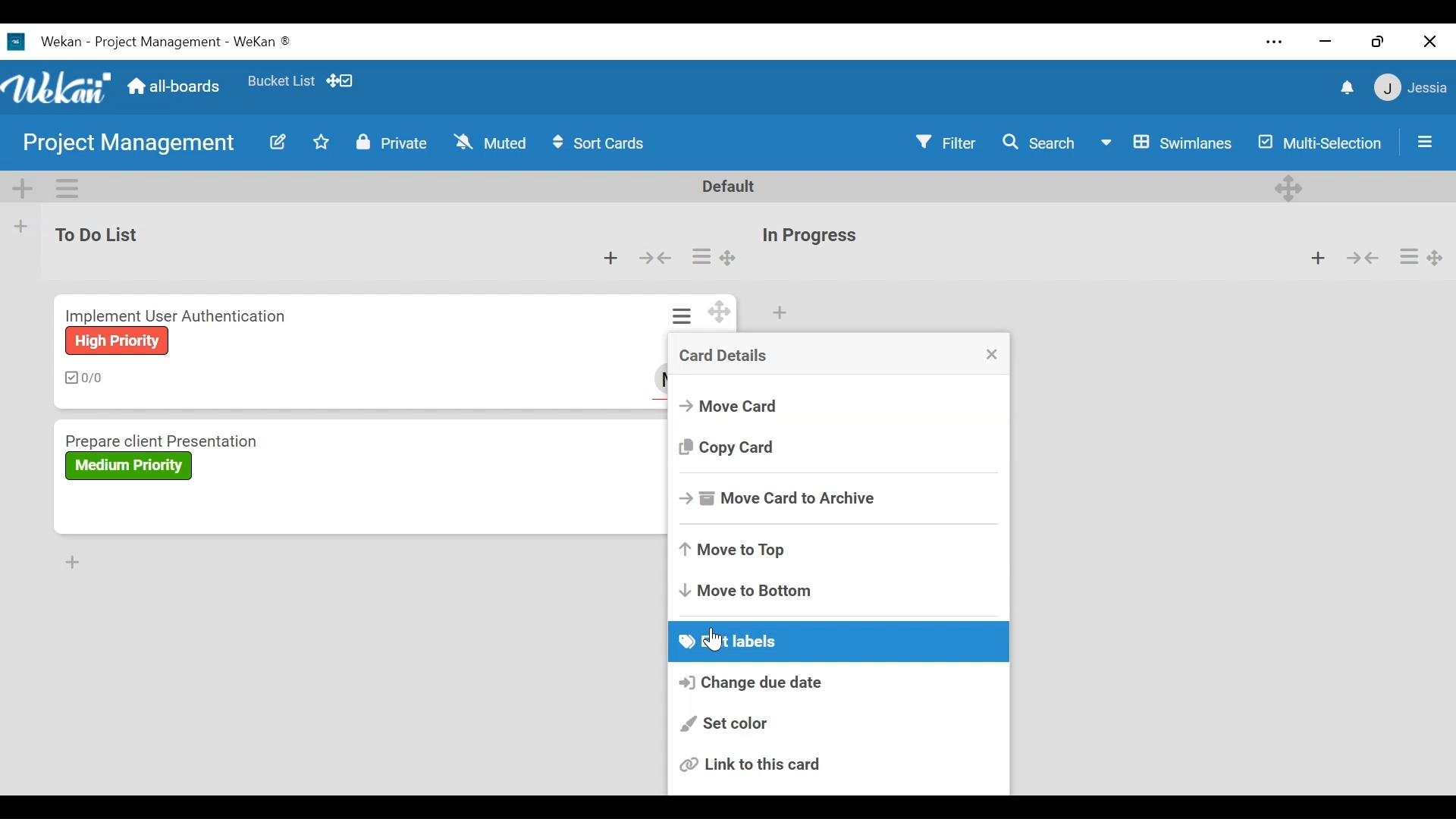 This screenshot has height=819, width=1456. I want to click on Muted, so click(490, 142).